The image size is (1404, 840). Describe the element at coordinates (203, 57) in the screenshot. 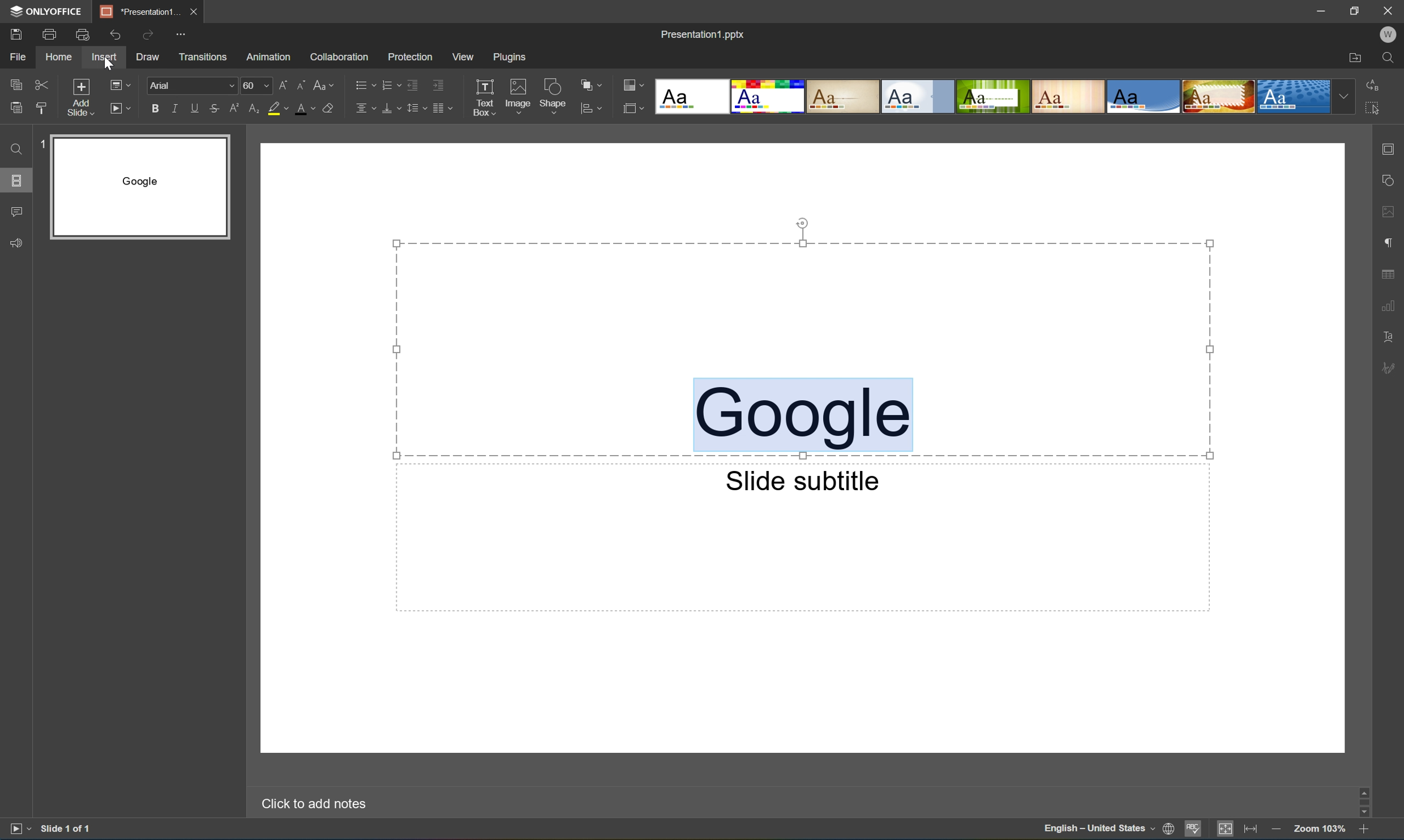

I see `Transitions` at that location.